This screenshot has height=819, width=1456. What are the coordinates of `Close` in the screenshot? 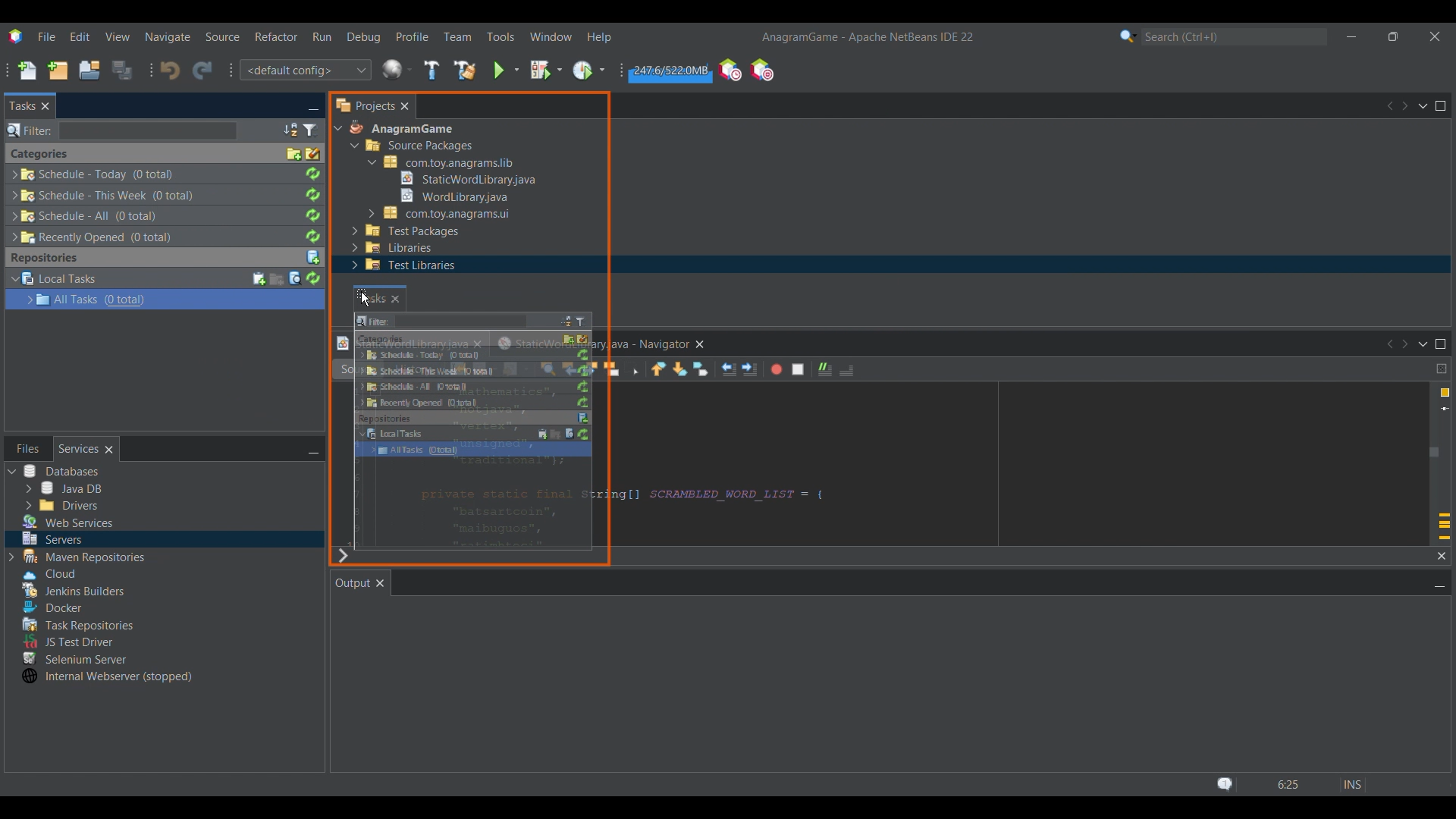 It's located at (380, 583).